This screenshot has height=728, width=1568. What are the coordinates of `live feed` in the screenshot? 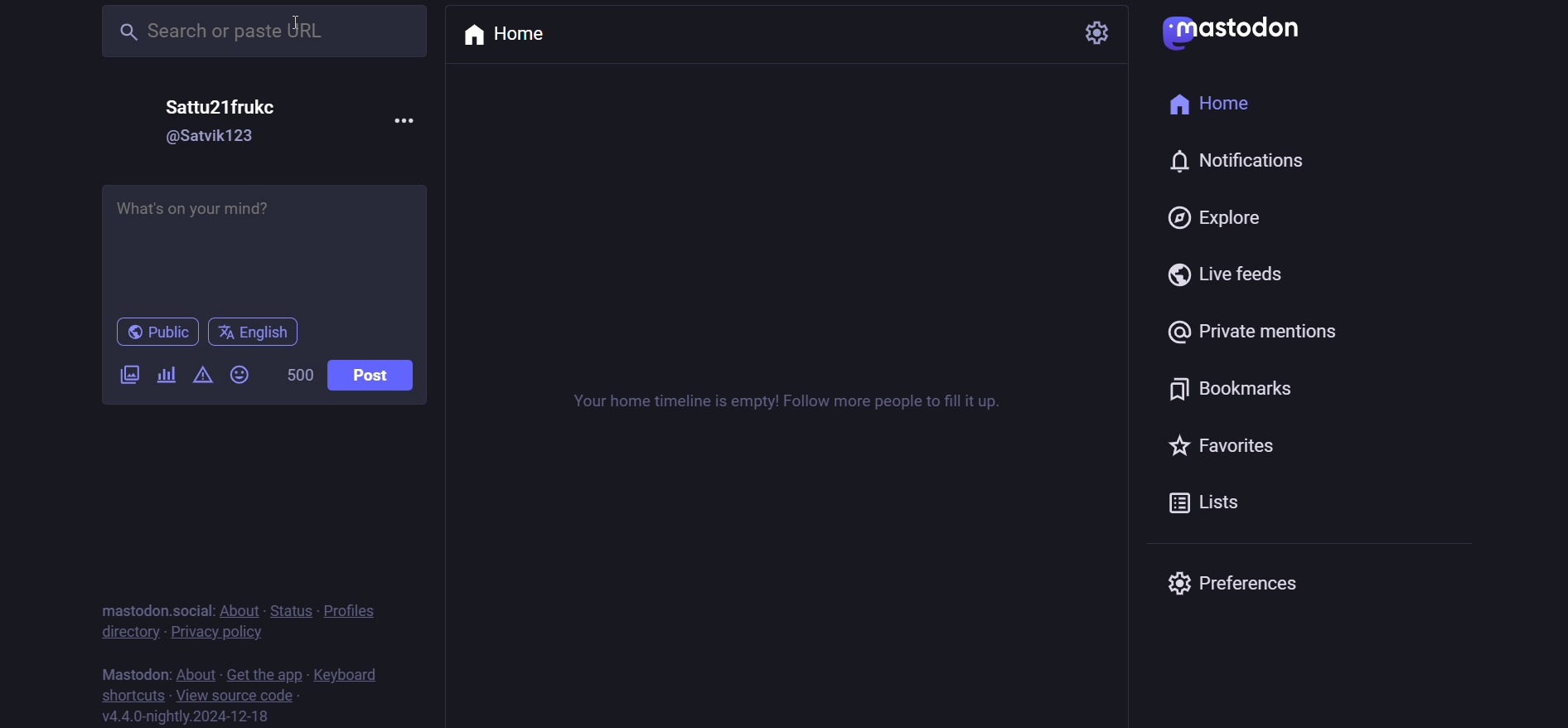 It's located at (1230, 277).